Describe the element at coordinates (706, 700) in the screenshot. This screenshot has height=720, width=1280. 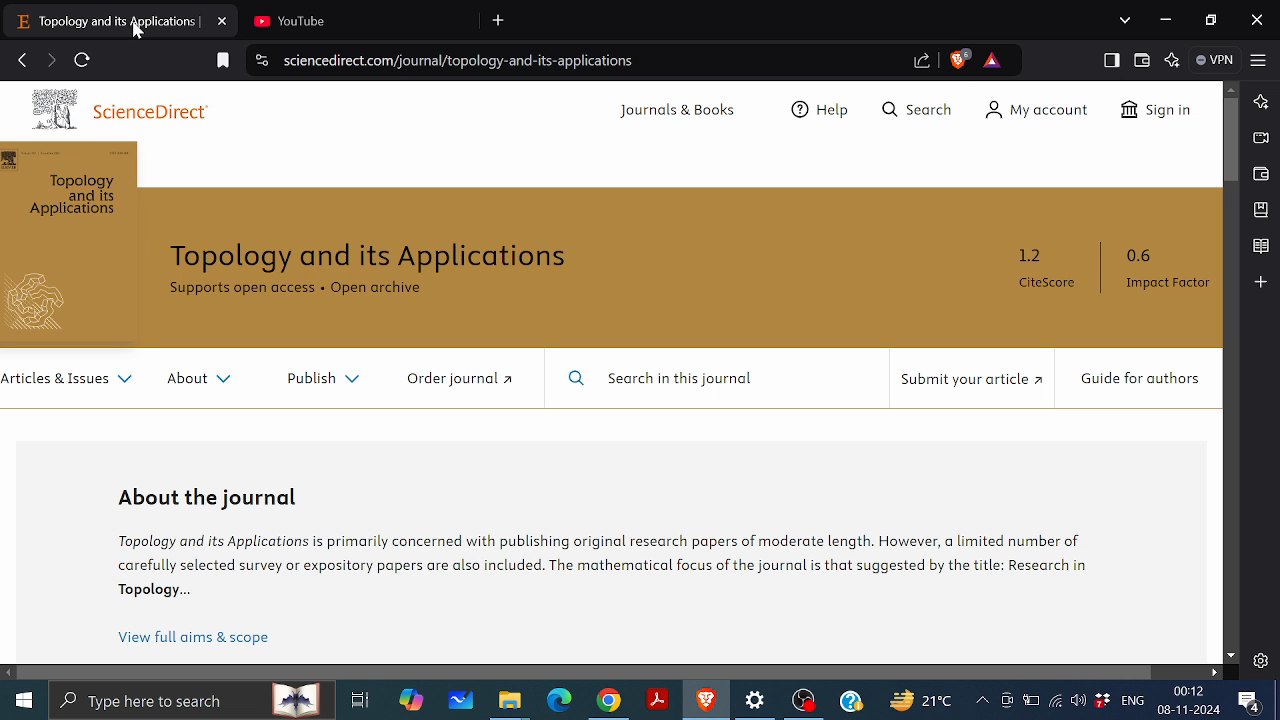
I see `Brave browser` at that location.